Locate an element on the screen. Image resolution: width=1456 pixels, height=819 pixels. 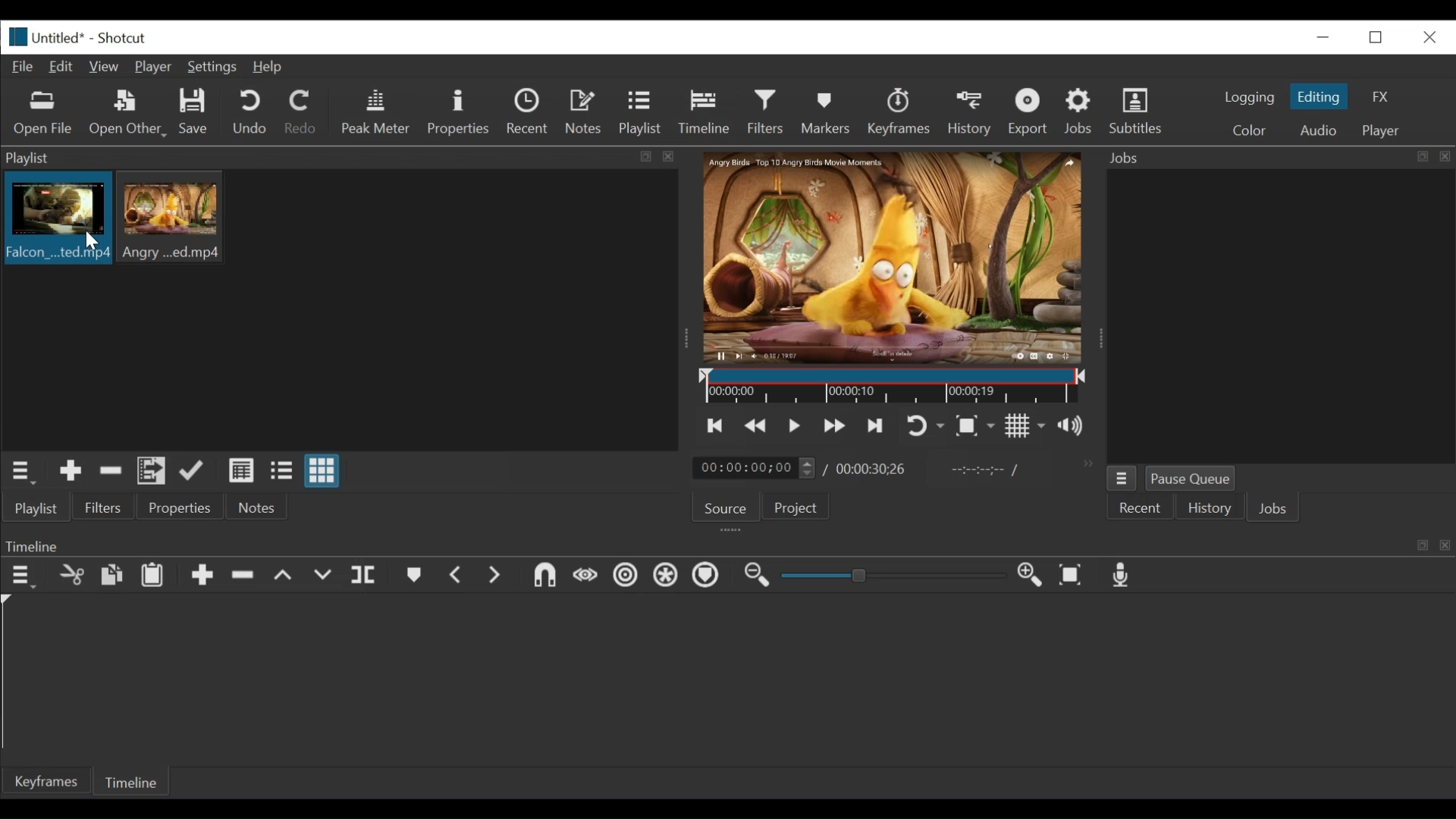
FX is located at coordinates (1381, 97).